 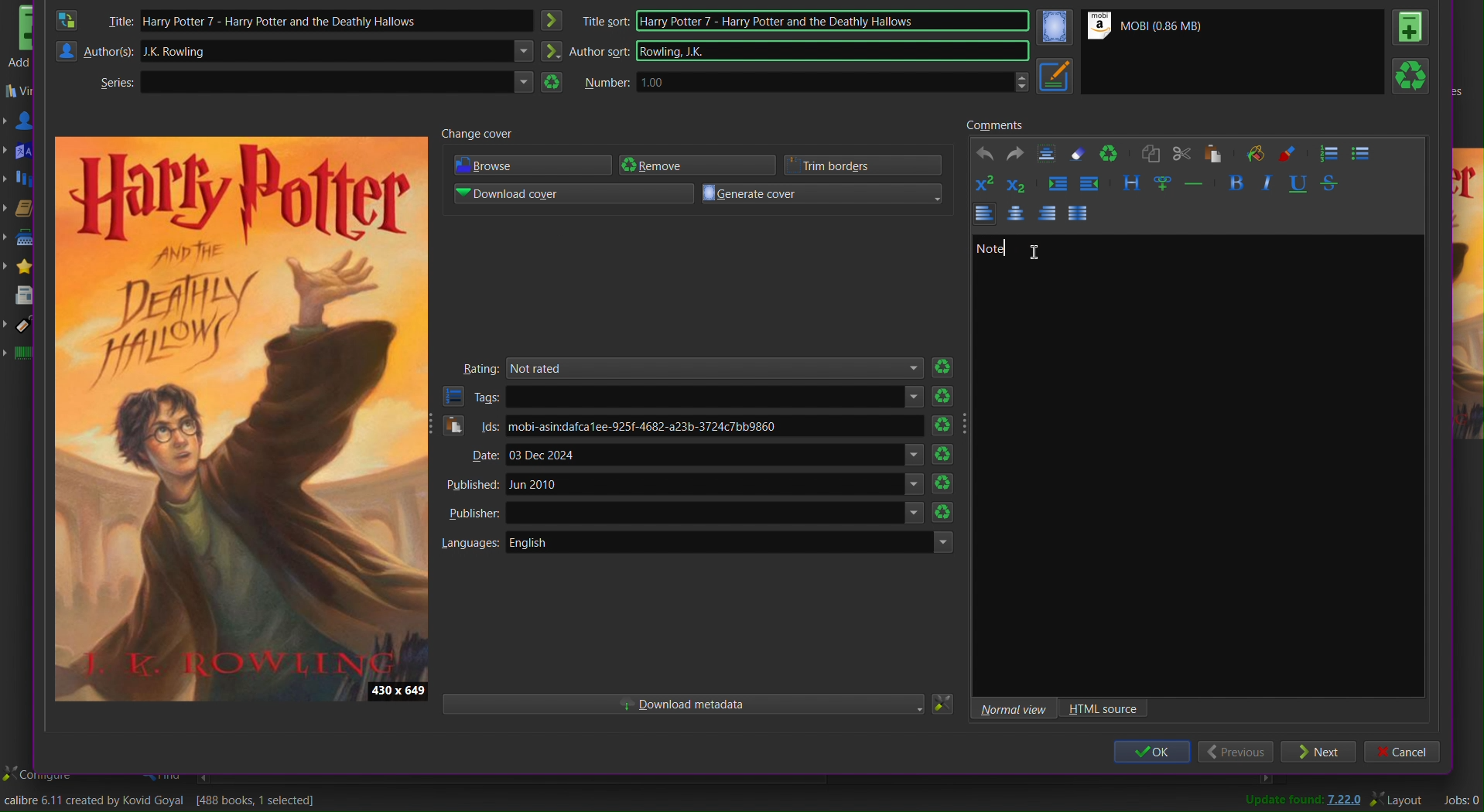 I want to click on HTML source, so click(x=1103, y=709).